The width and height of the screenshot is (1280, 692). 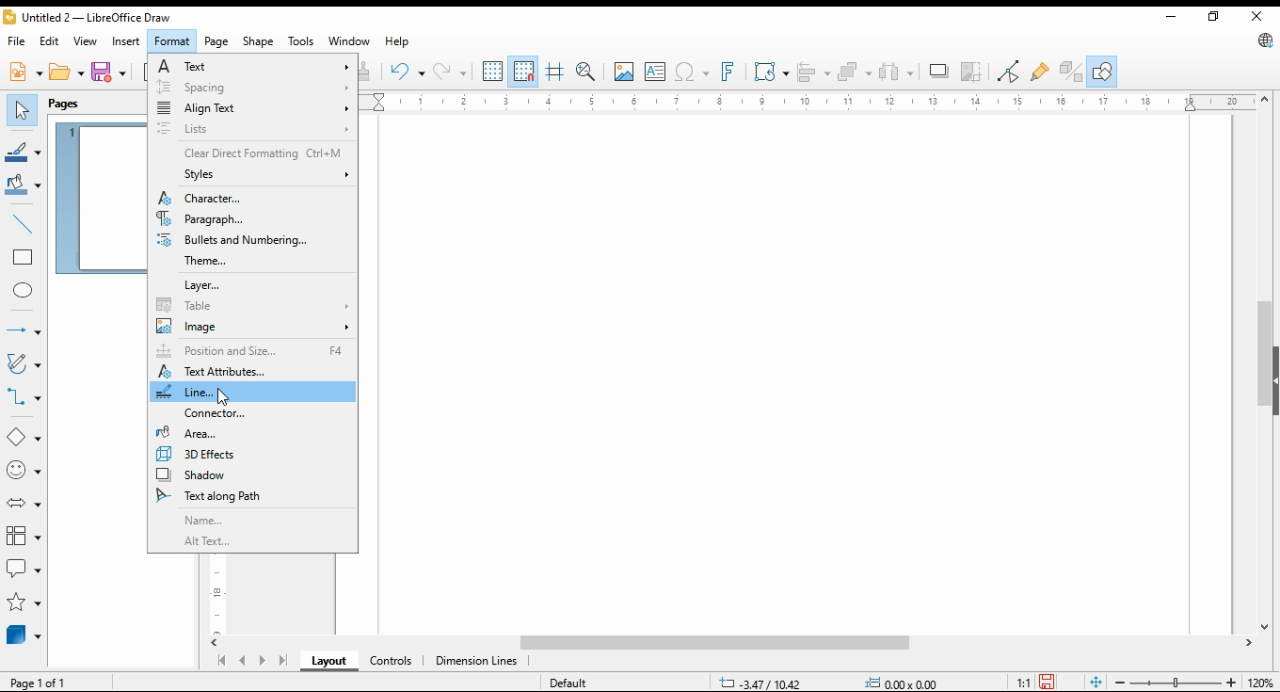 What do you see at coordinates (1023, 681) in the screenshot?
I see `1:1` at bounding box center [1023, 681].